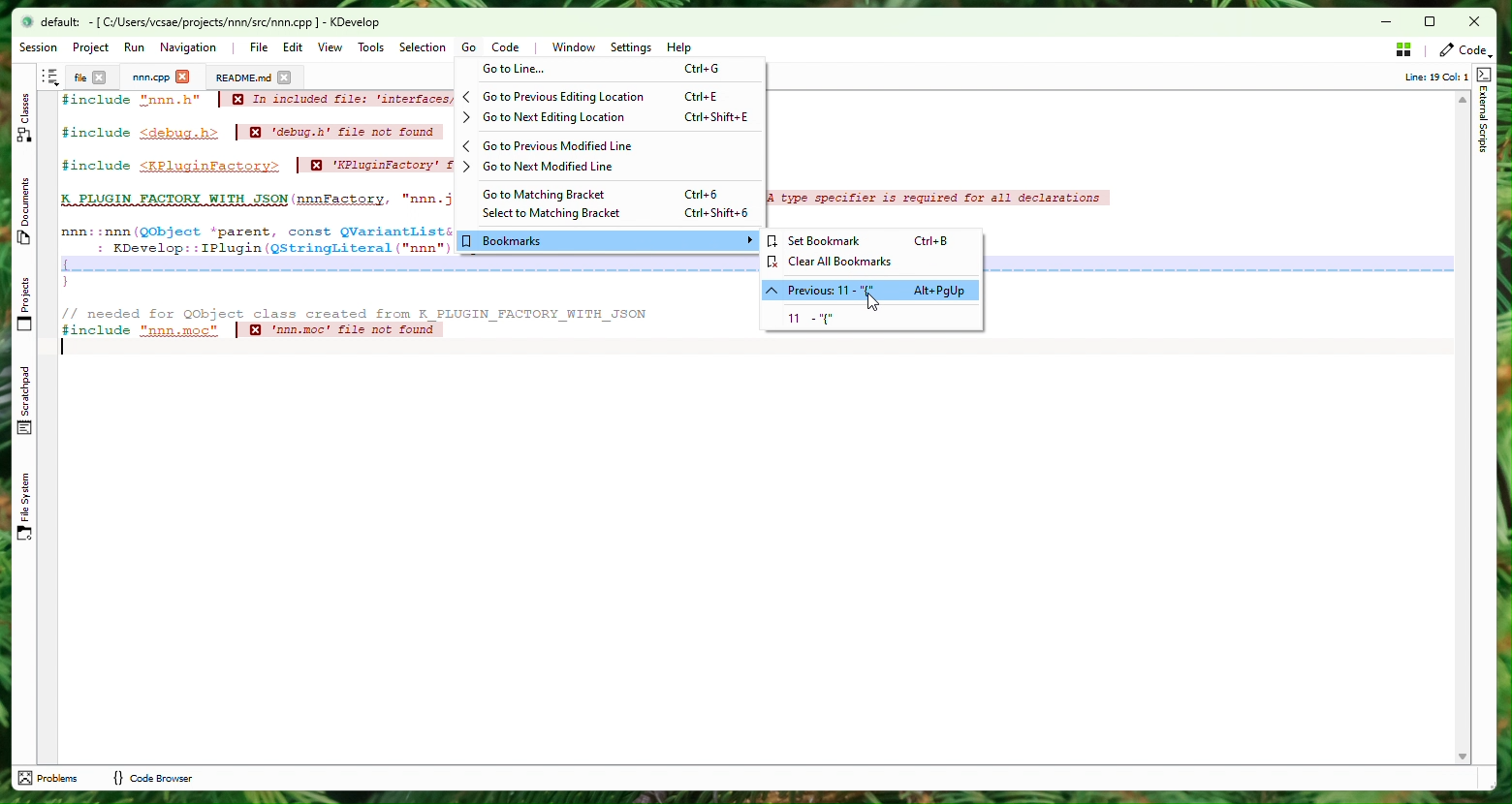 Image resolution: width=1512 pixels, height=804 pixels. What do you see at coordinates (183, 77) in the screenshot?
I see `close tab` at bounding box center [183, 77].